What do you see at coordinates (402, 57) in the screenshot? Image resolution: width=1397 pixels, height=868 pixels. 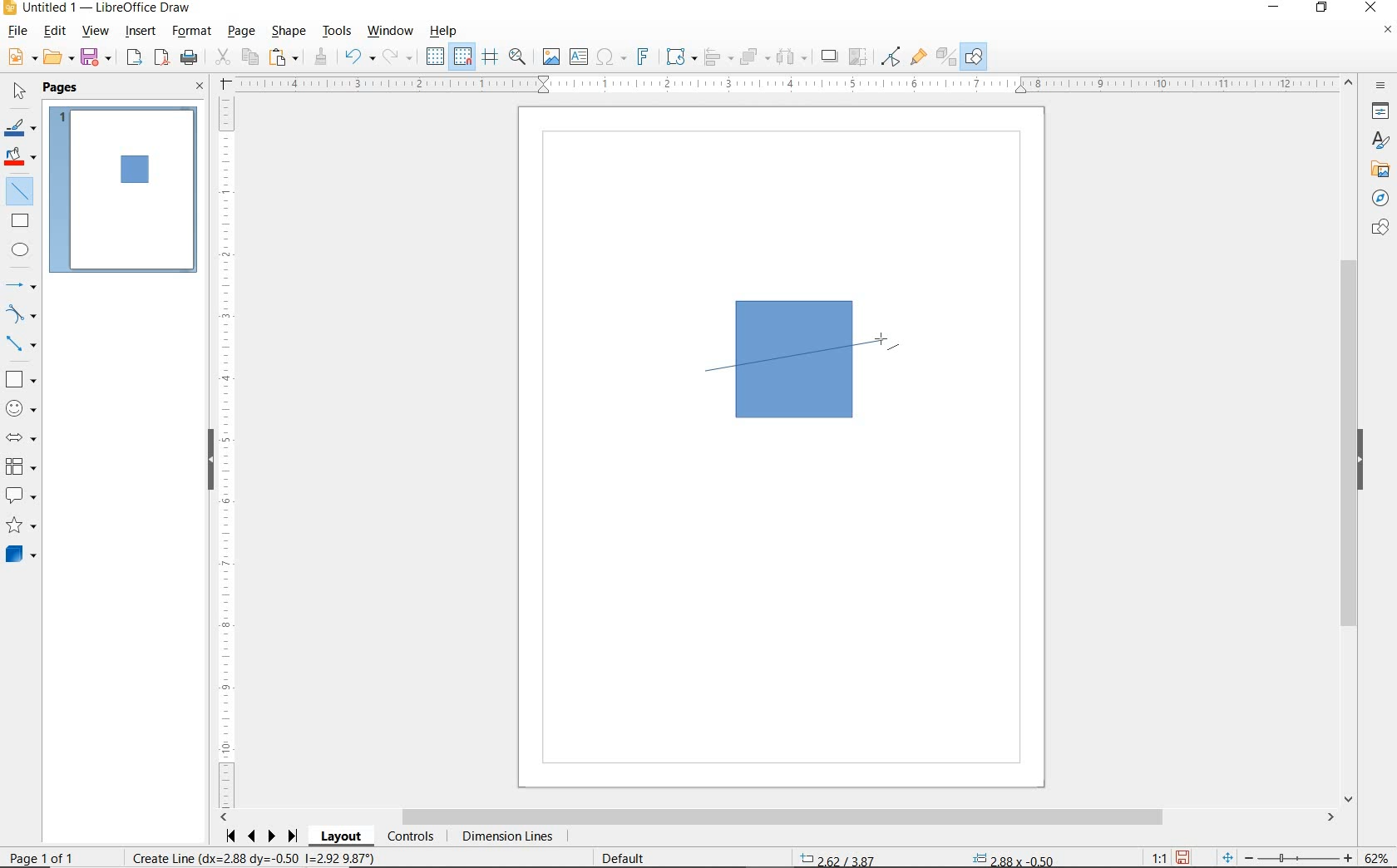 I see `REDO` at bounding box center [402, 57].